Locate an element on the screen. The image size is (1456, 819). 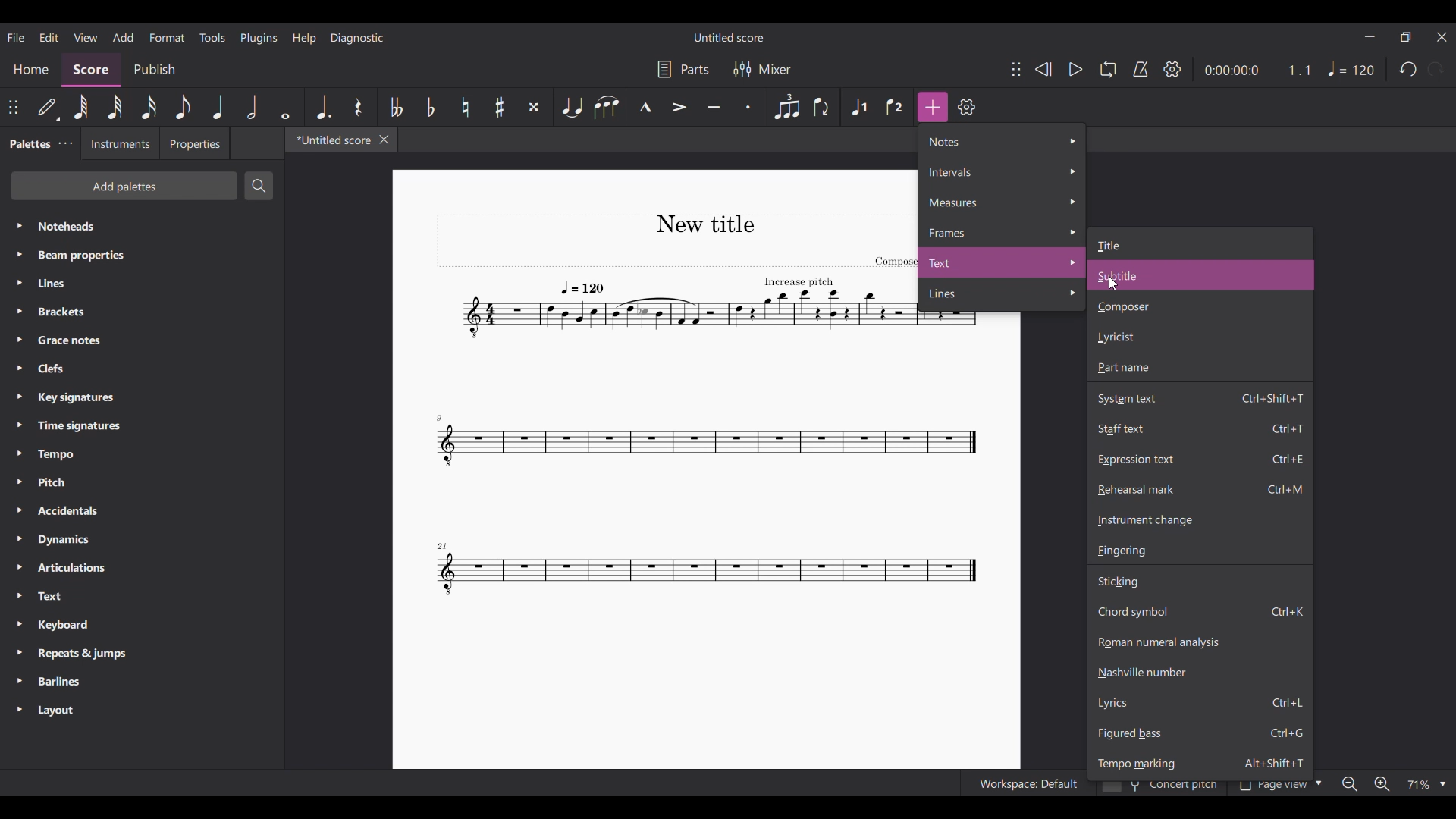
Tempo is located at coordinates (1351, 68).